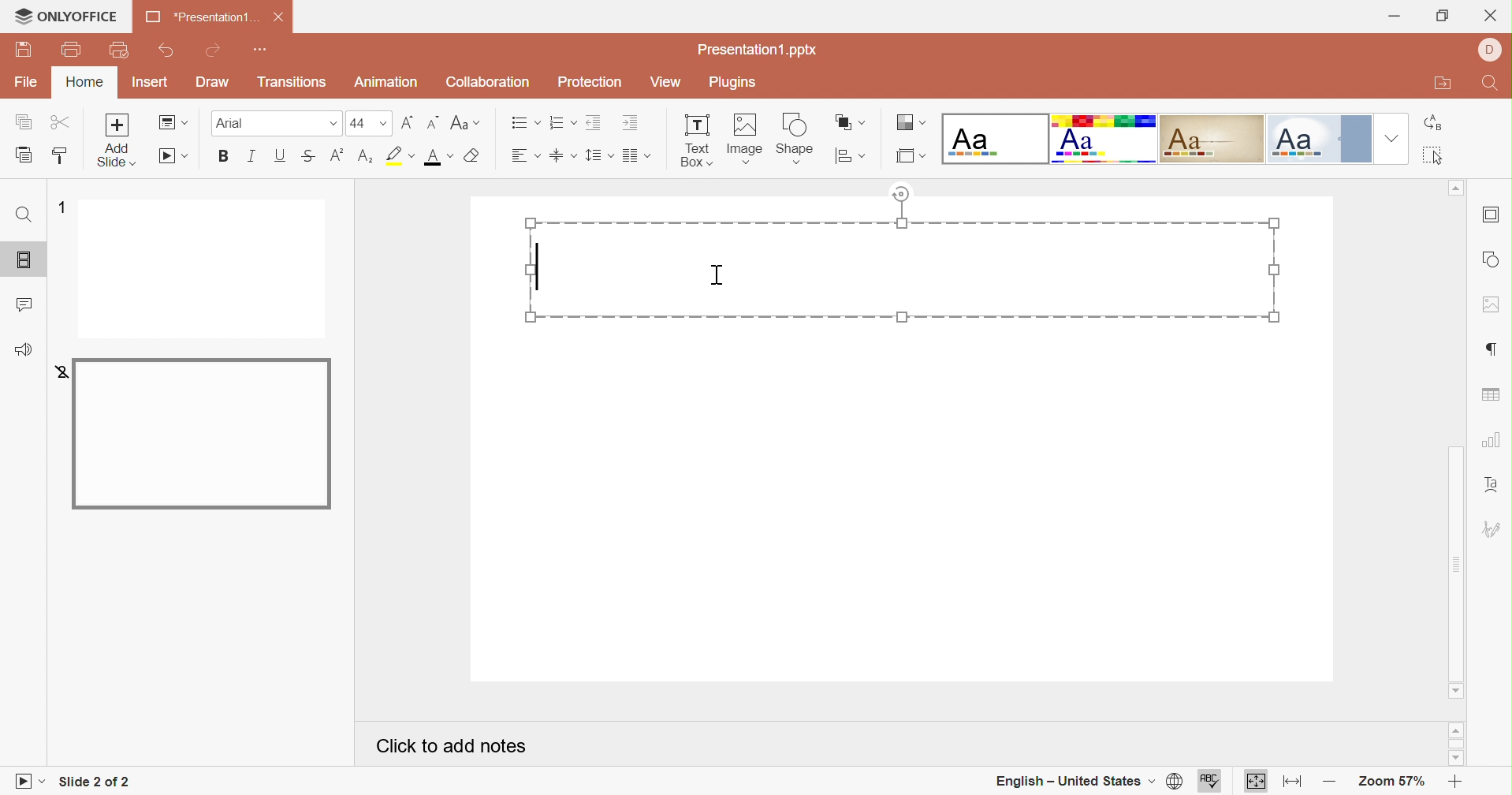 The height and width of the screenshot is (795, 1512). I want to click on Hidden slide preview, so click(200, 432).